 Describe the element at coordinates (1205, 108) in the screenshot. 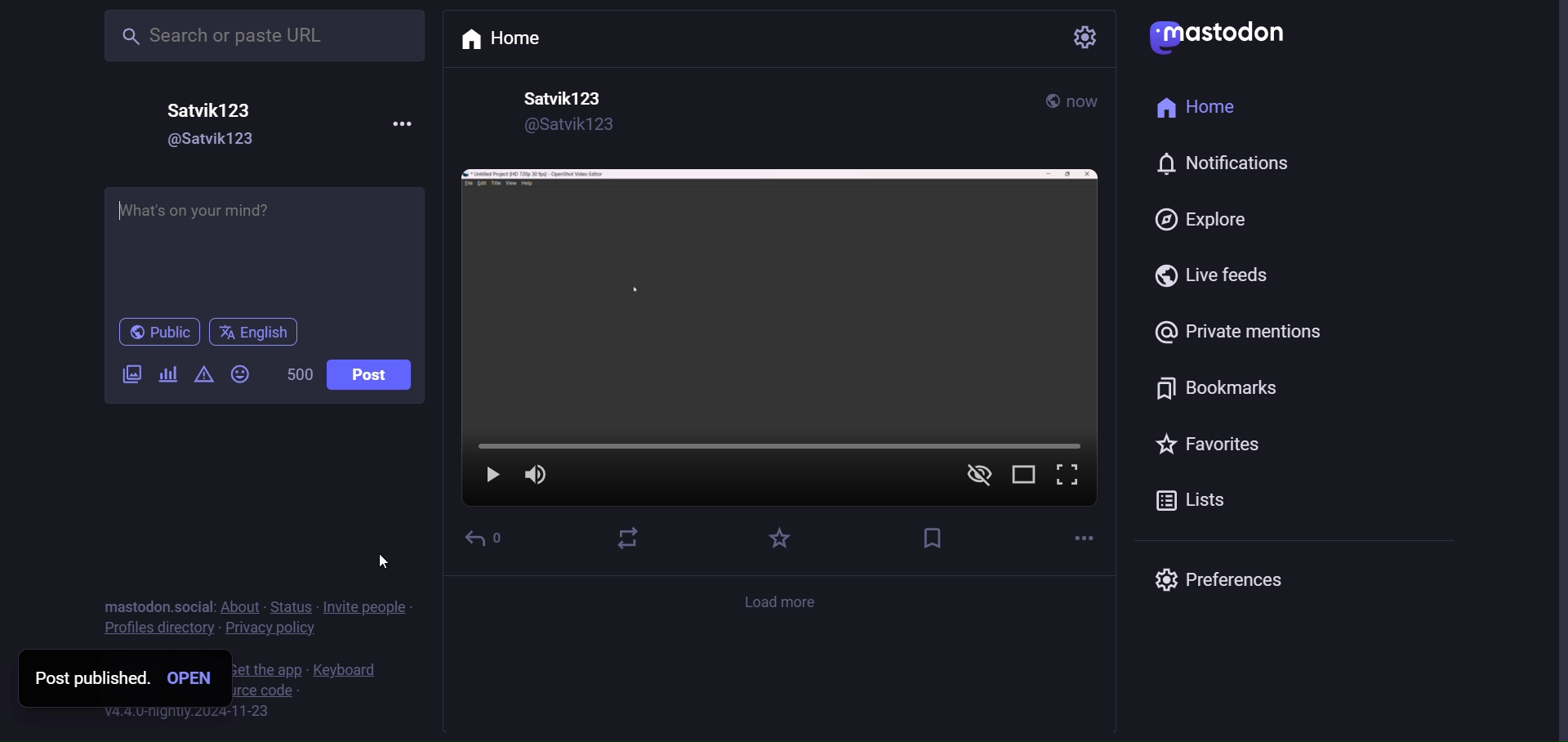

I see `home` at that location.